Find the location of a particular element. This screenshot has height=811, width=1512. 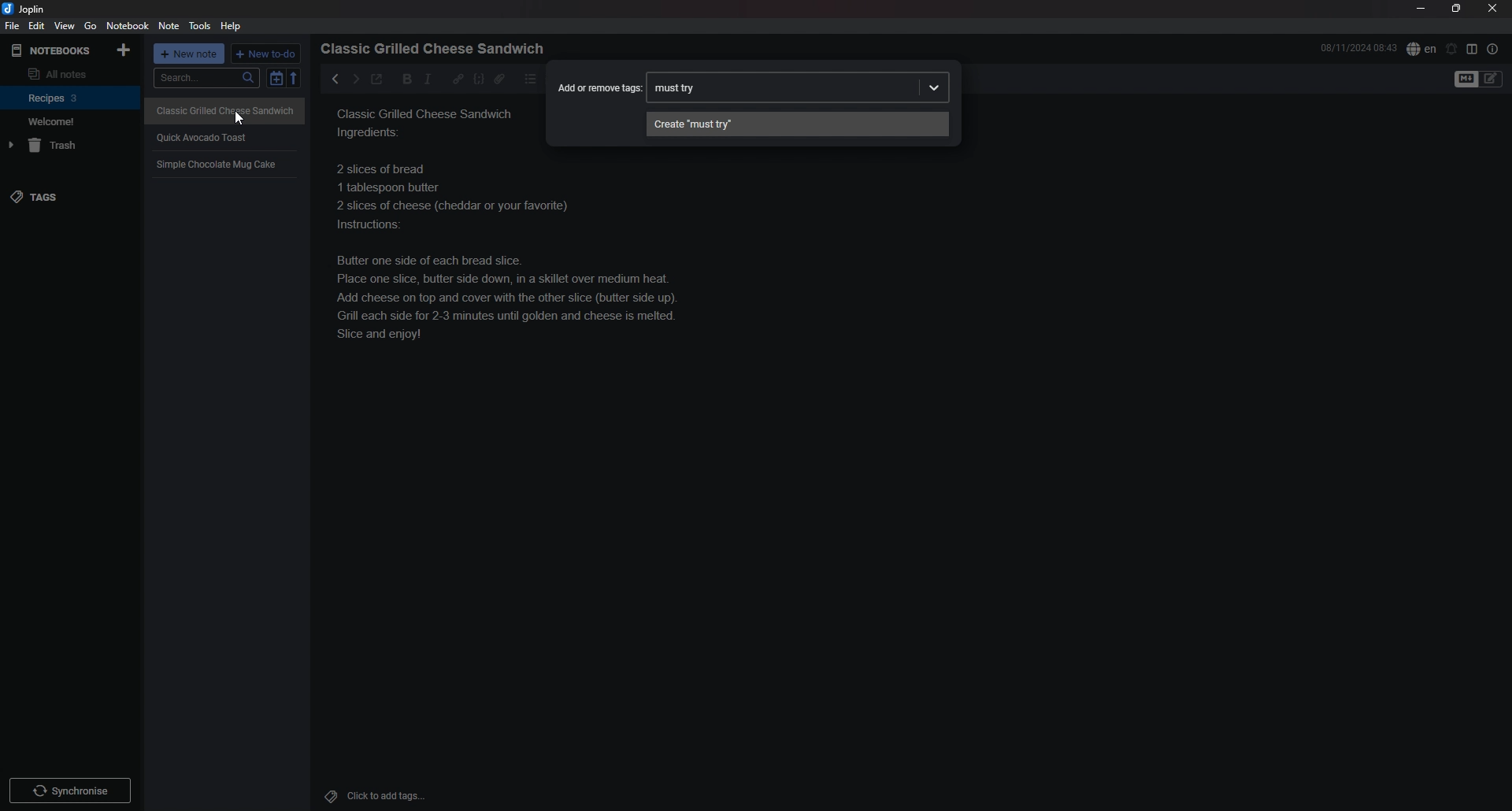

cursor is located at coordinates (240, 119).